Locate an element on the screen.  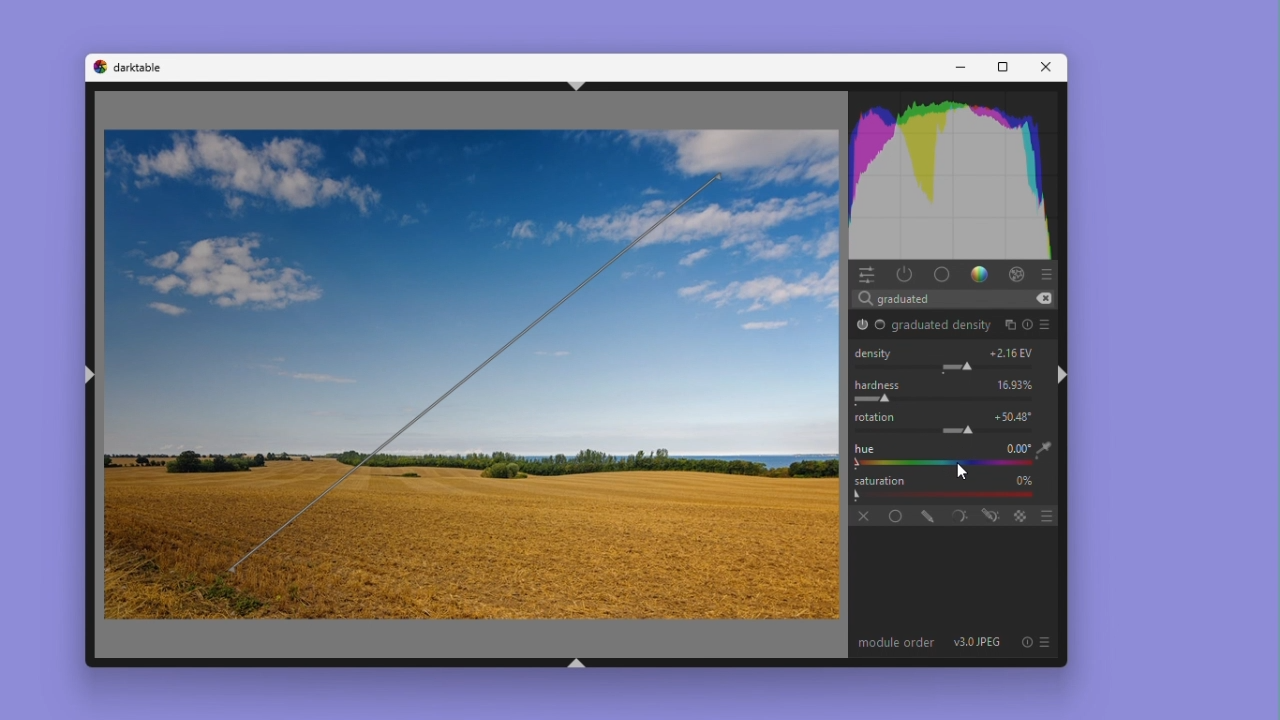
rotation bar is located at coordinates (477, 371).